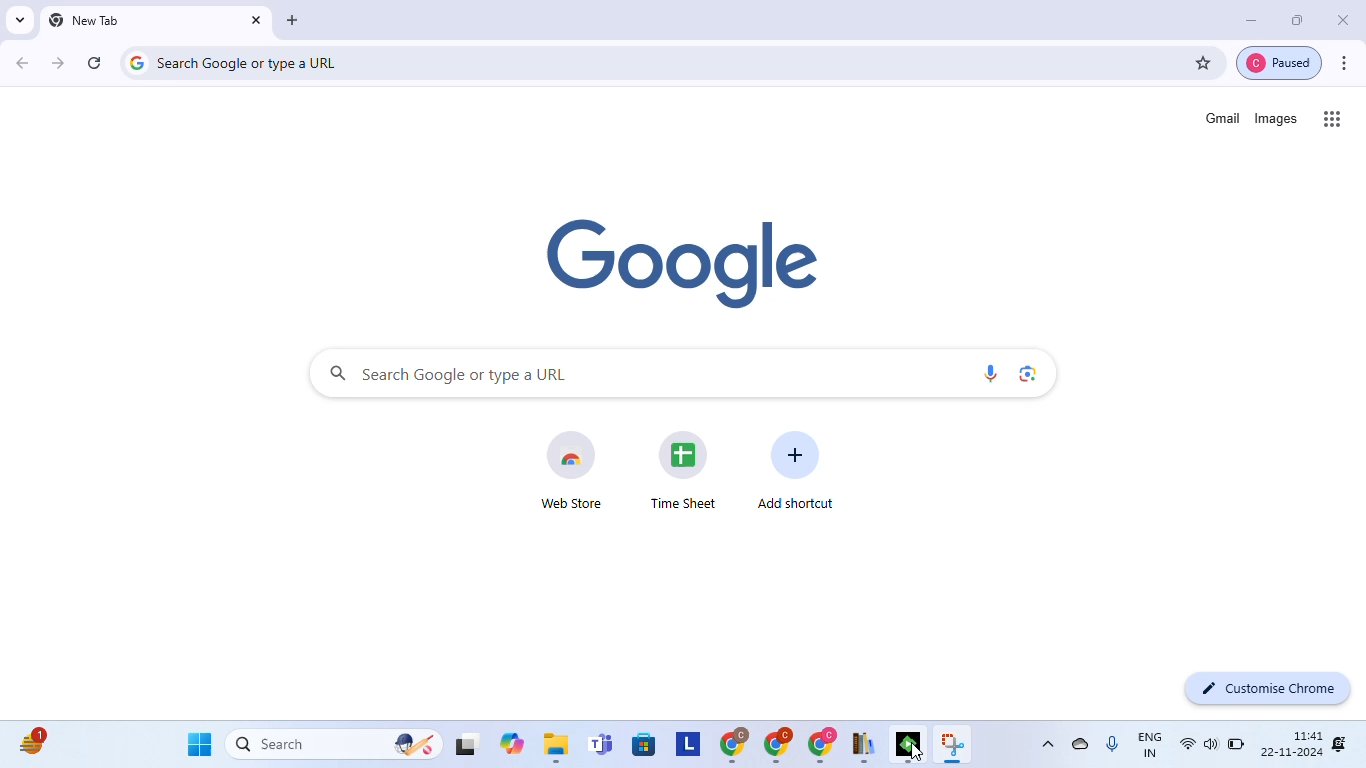 The image size is (1366, 768). What do you see at coordinates (84, 20) in the screenshot?
I see `new tab` at bounding box center [84, 20].